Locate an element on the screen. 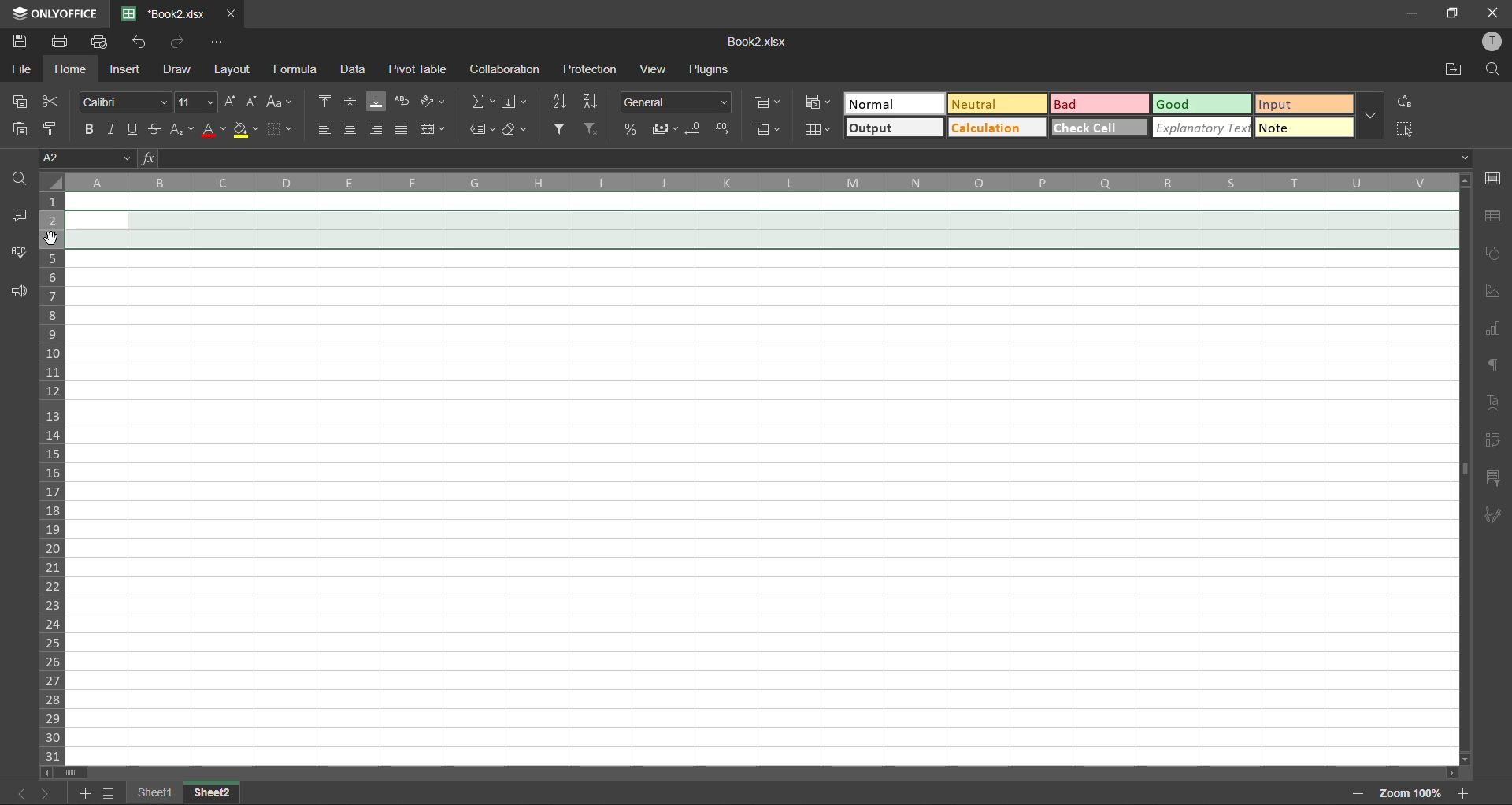 This screenshot has width=1512, height=805. justified is located at coordinates (402, 128).